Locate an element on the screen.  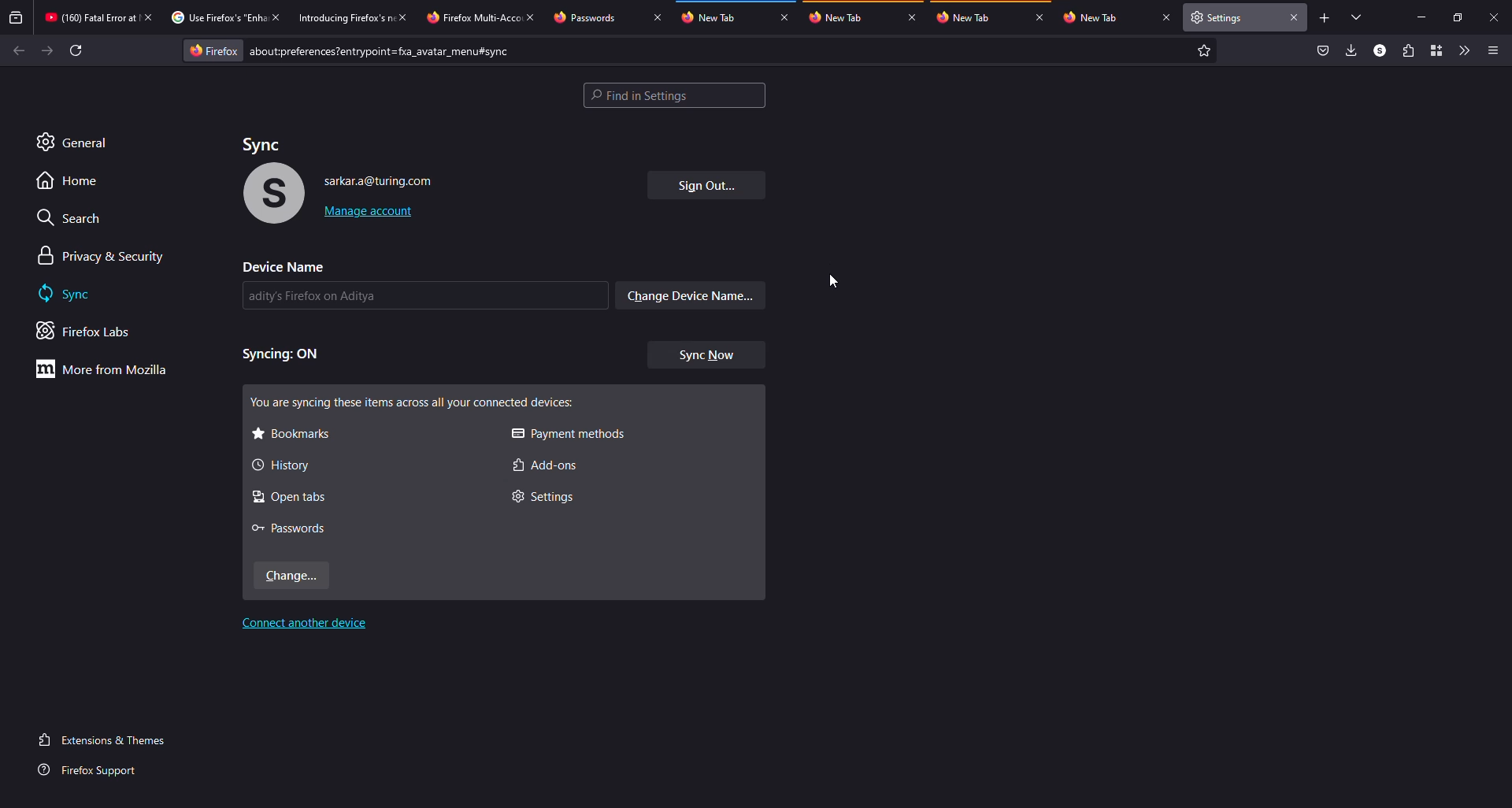
change is located at coordinates (293, 575).